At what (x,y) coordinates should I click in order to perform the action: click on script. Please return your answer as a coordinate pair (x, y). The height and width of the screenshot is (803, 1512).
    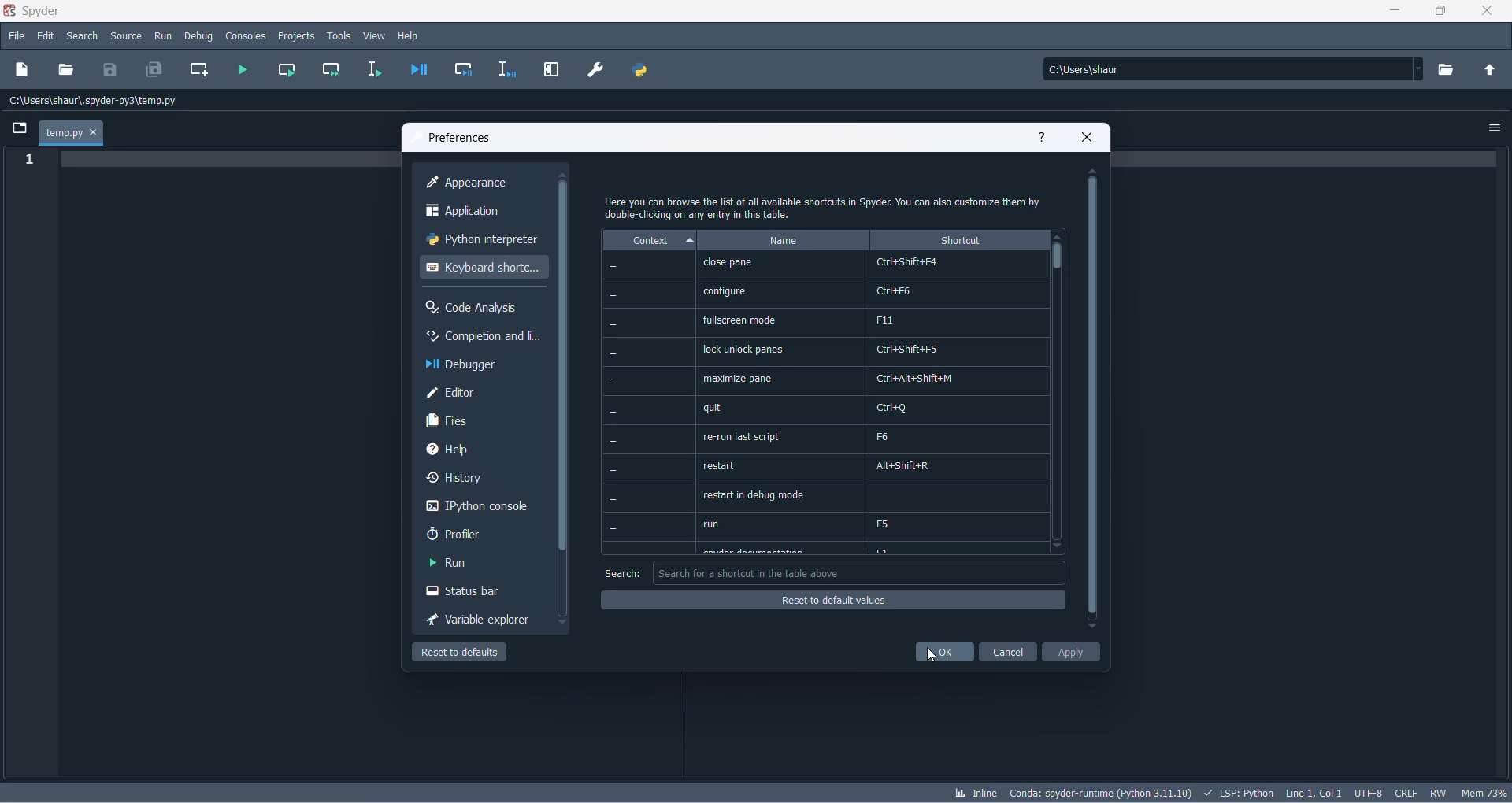
    Looking at the image, I should click on (1239, 792).